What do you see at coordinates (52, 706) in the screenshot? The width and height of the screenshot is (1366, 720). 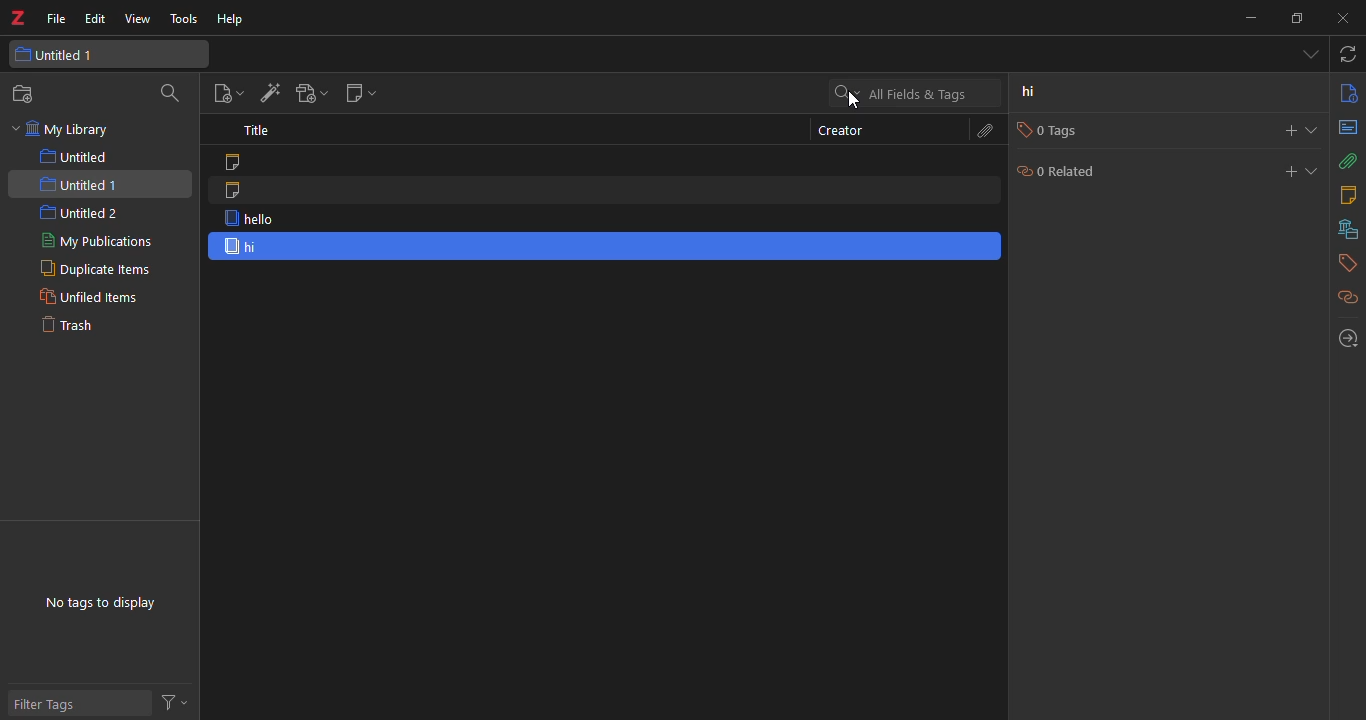 I see `filter tags` at bounding box center [52, 706].